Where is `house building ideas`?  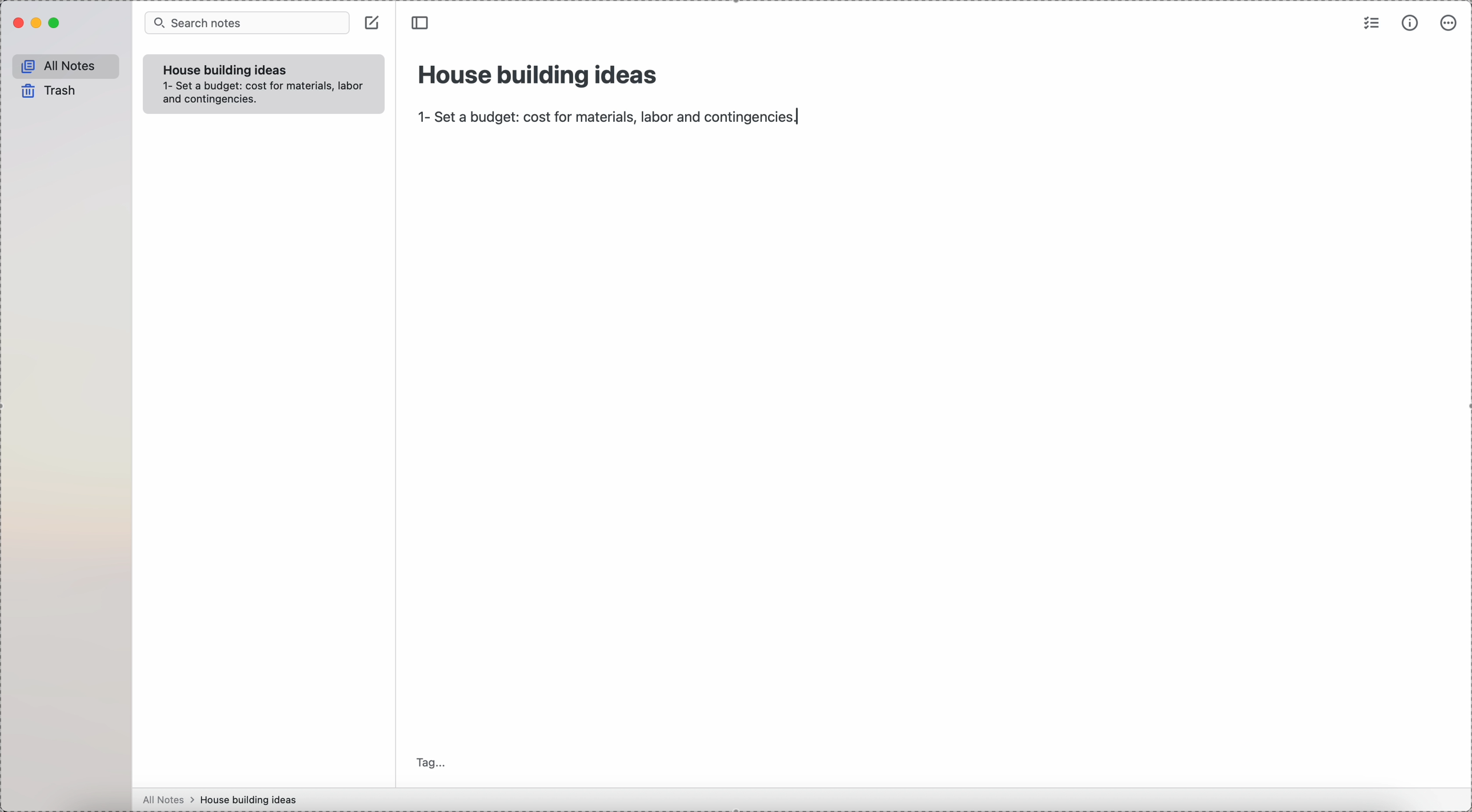 house building ideas is located at coordinates (252, 799).